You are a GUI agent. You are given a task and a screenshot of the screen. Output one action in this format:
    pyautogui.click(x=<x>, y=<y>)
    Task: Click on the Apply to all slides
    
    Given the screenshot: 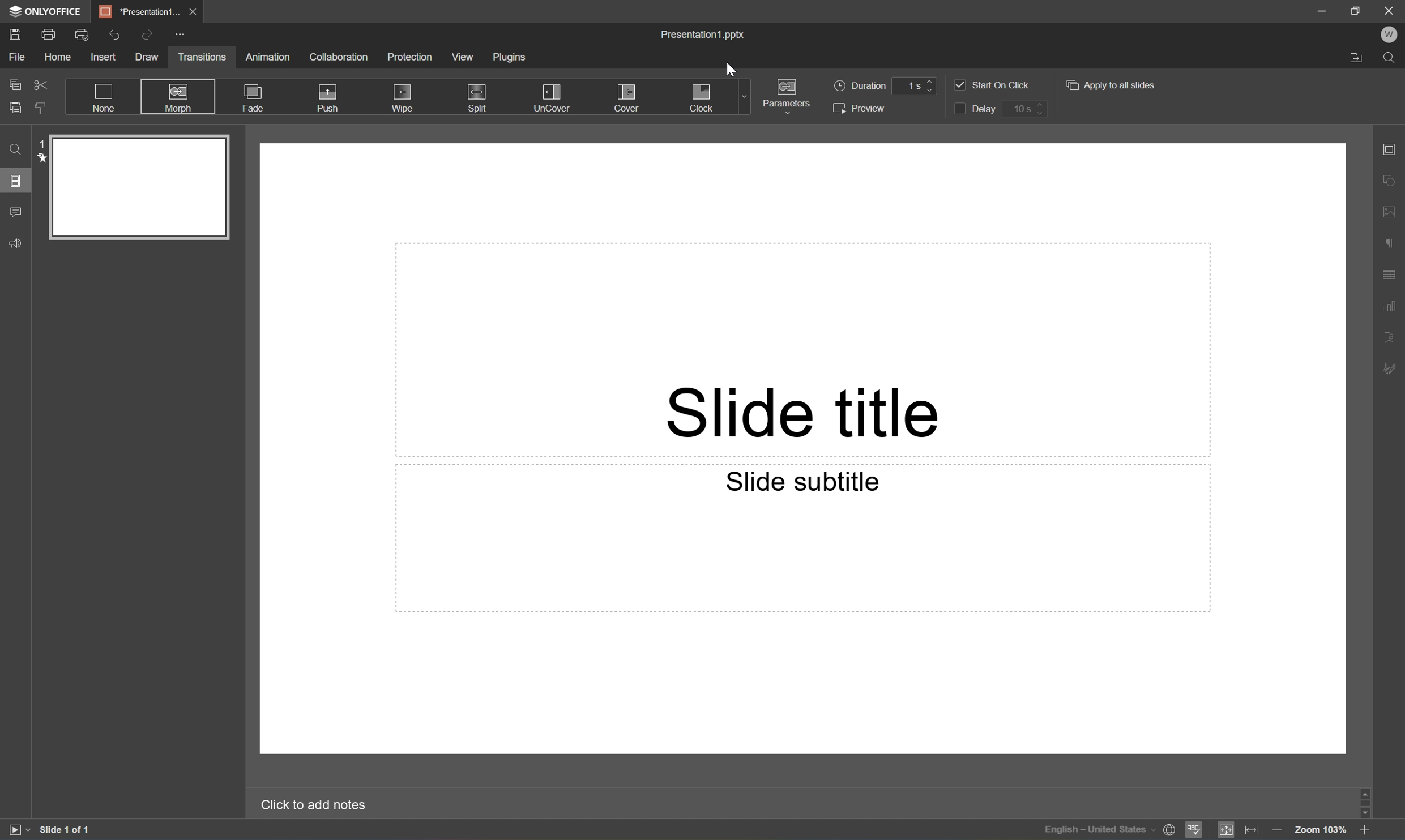 What is the action you would take?
    pyautogui.click(x=1112, y=85)
    